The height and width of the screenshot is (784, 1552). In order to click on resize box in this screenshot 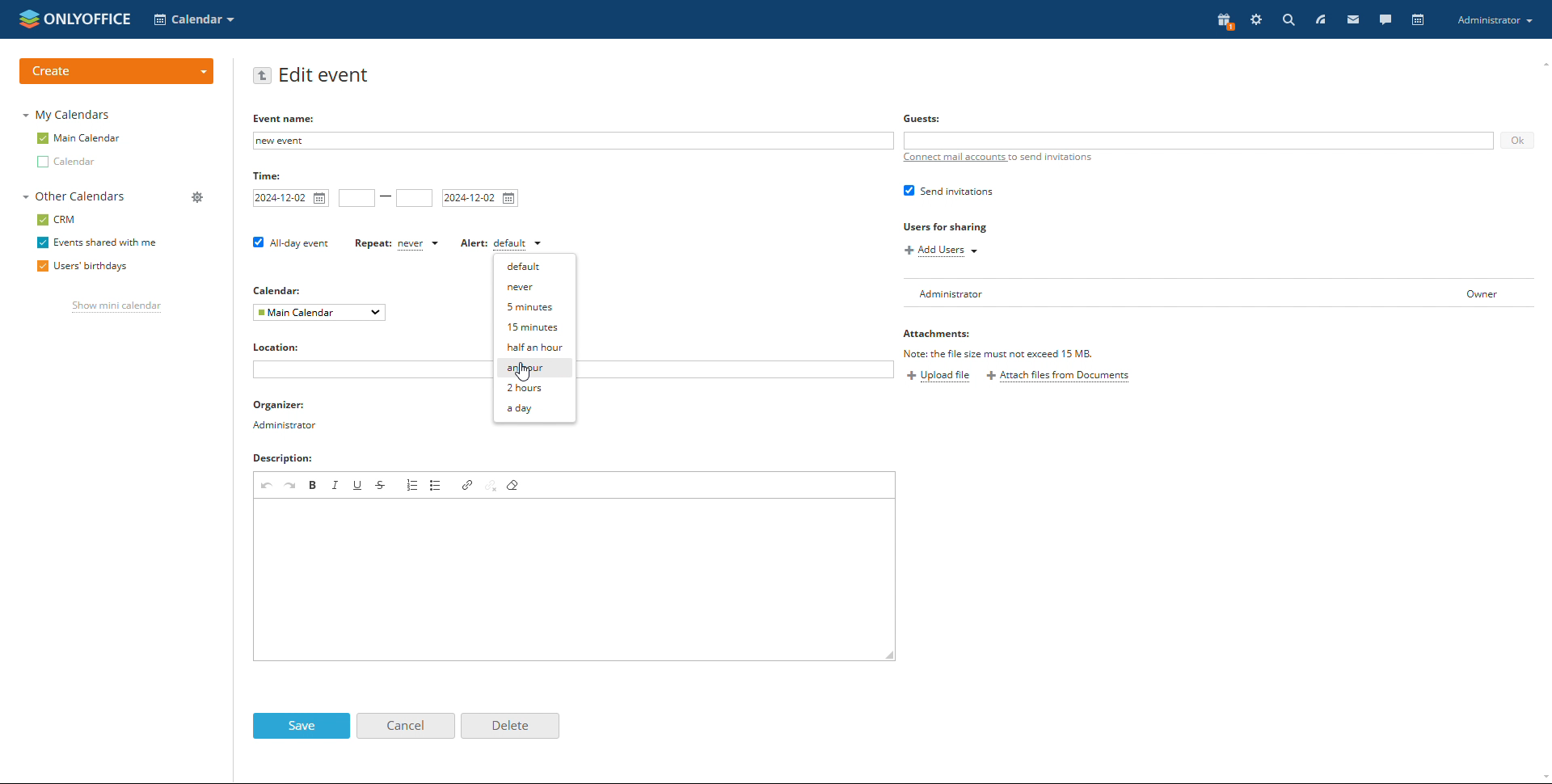, I will do `click(890, 655)`.